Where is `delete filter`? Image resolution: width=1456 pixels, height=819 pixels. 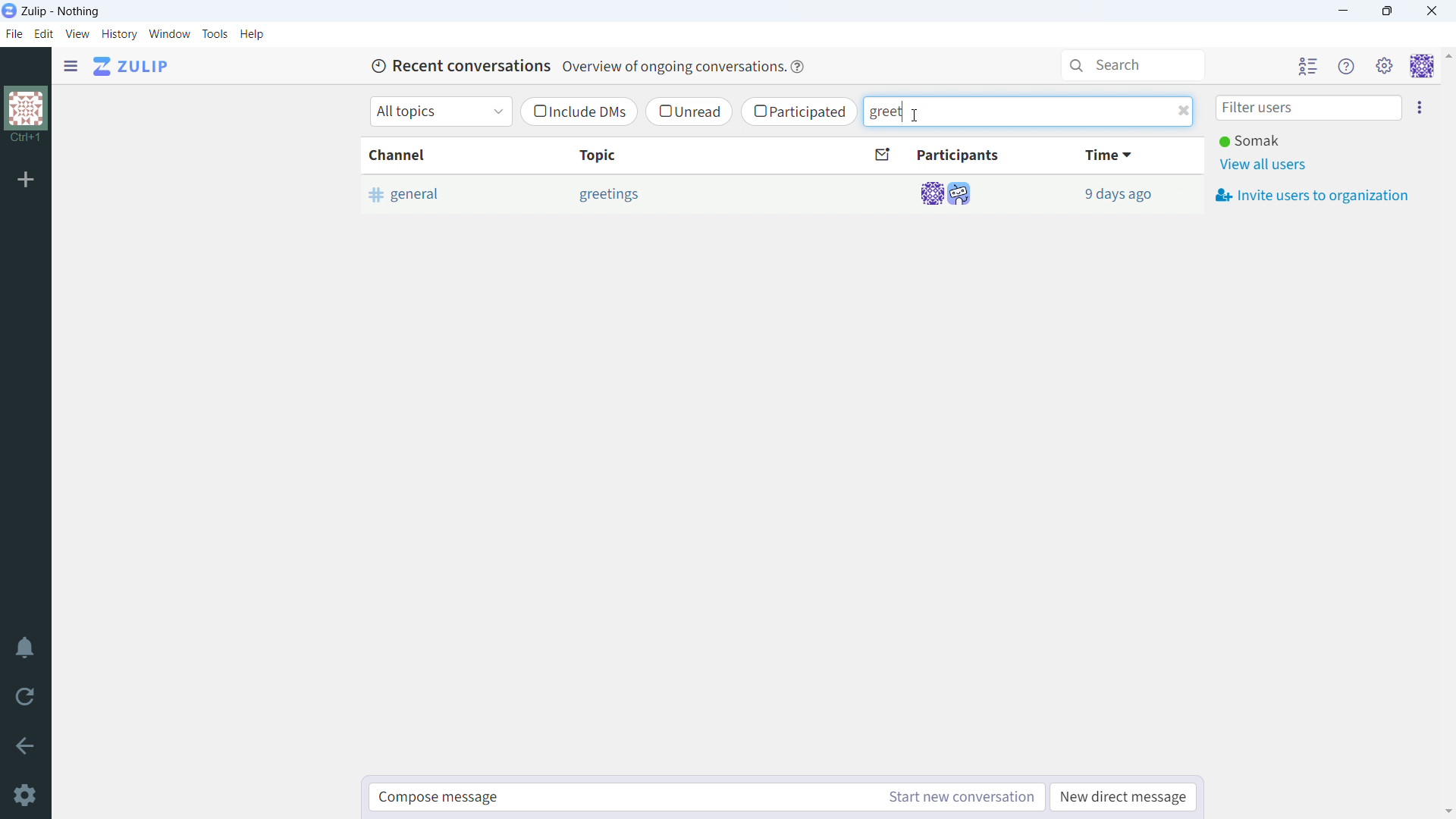
delete filter is located at coordinates (1182, 110).